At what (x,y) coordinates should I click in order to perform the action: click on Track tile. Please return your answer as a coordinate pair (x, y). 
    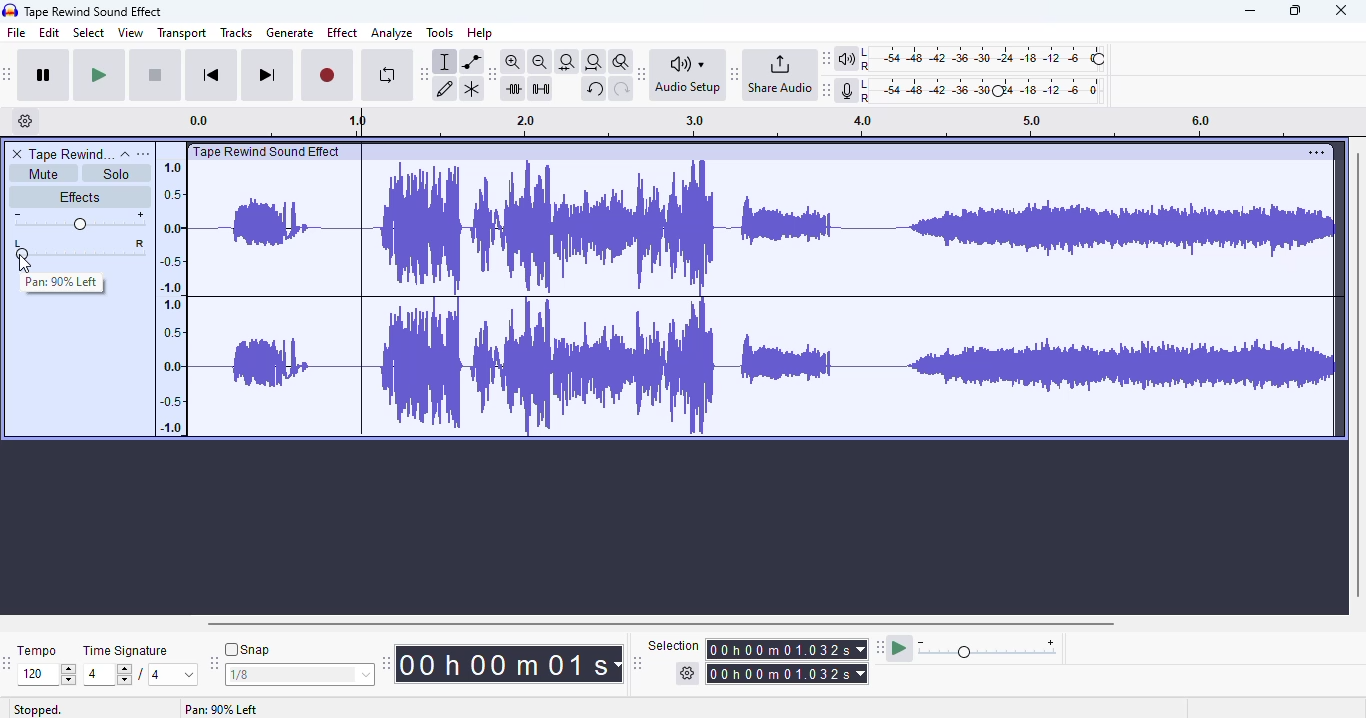
    Looking at the image, I should click on (270, 151).